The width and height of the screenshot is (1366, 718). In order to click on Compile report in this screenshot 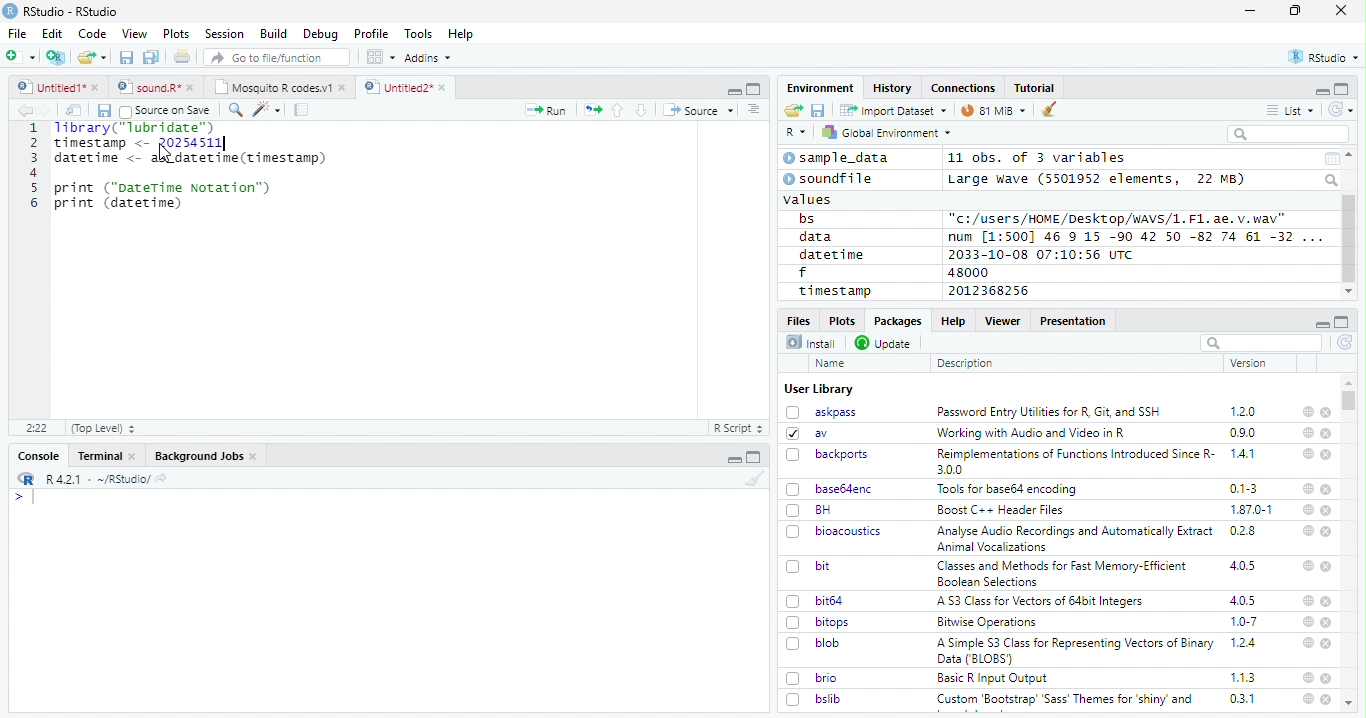, I will do `click(302, 110)`.